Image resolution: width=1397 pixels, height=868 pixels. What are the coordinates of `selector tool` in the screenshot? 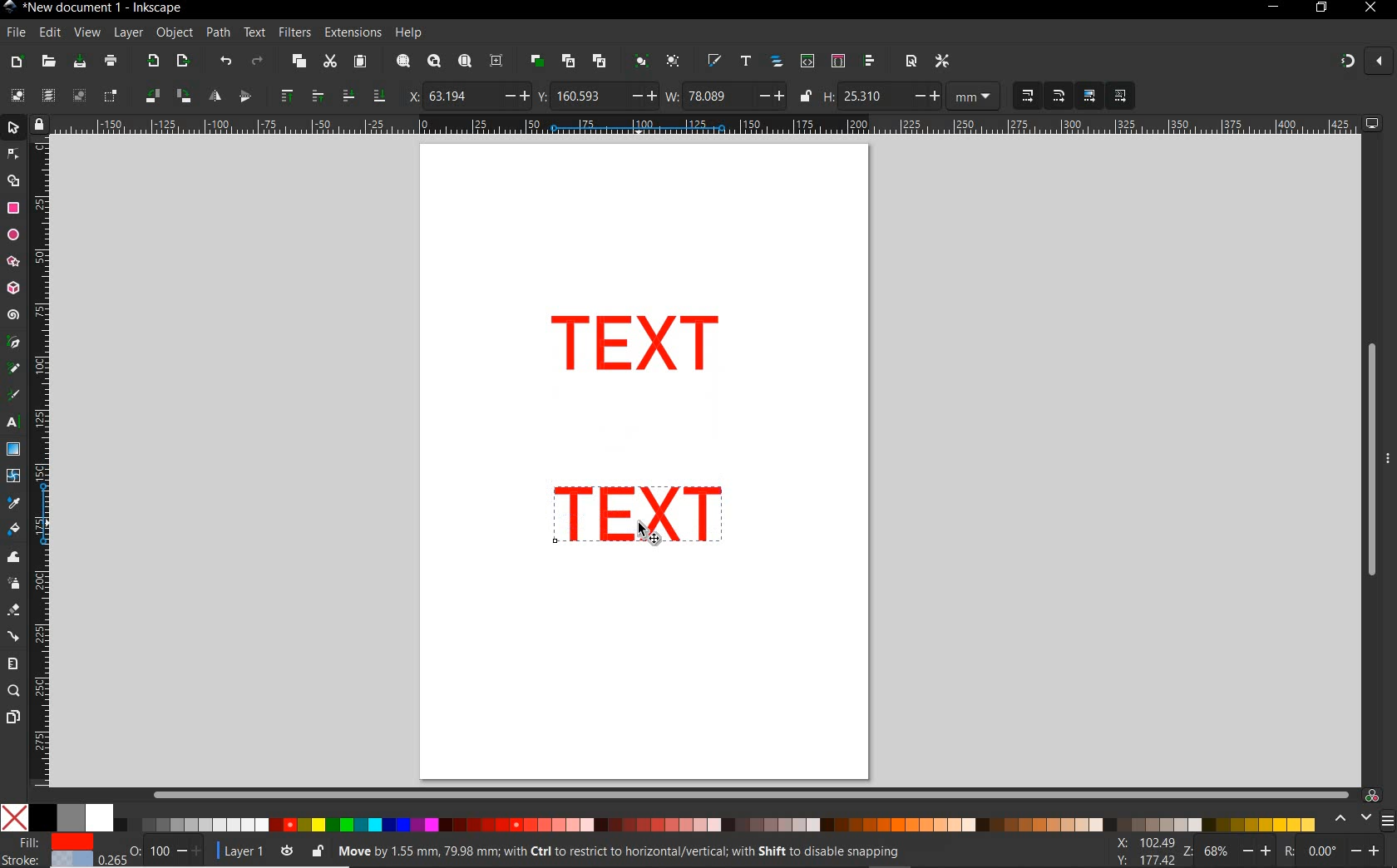 It's located at (15, 130).